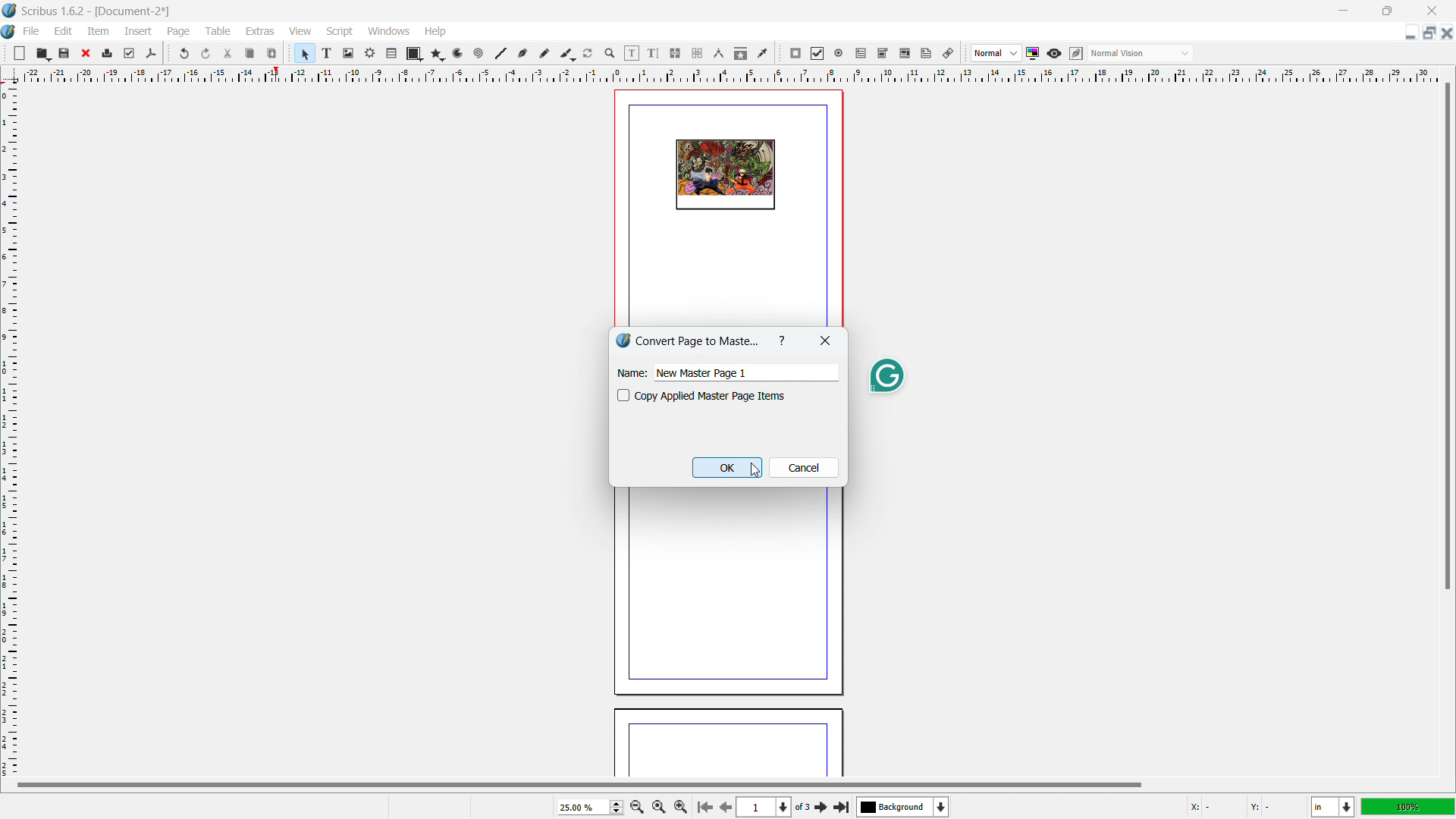 The width and height of the screenshot is (1456, 819). Describe the element at coordinates (98, 11) in the screenshot. I see `Scribus 1.6.2- [Document-2]` at that location.